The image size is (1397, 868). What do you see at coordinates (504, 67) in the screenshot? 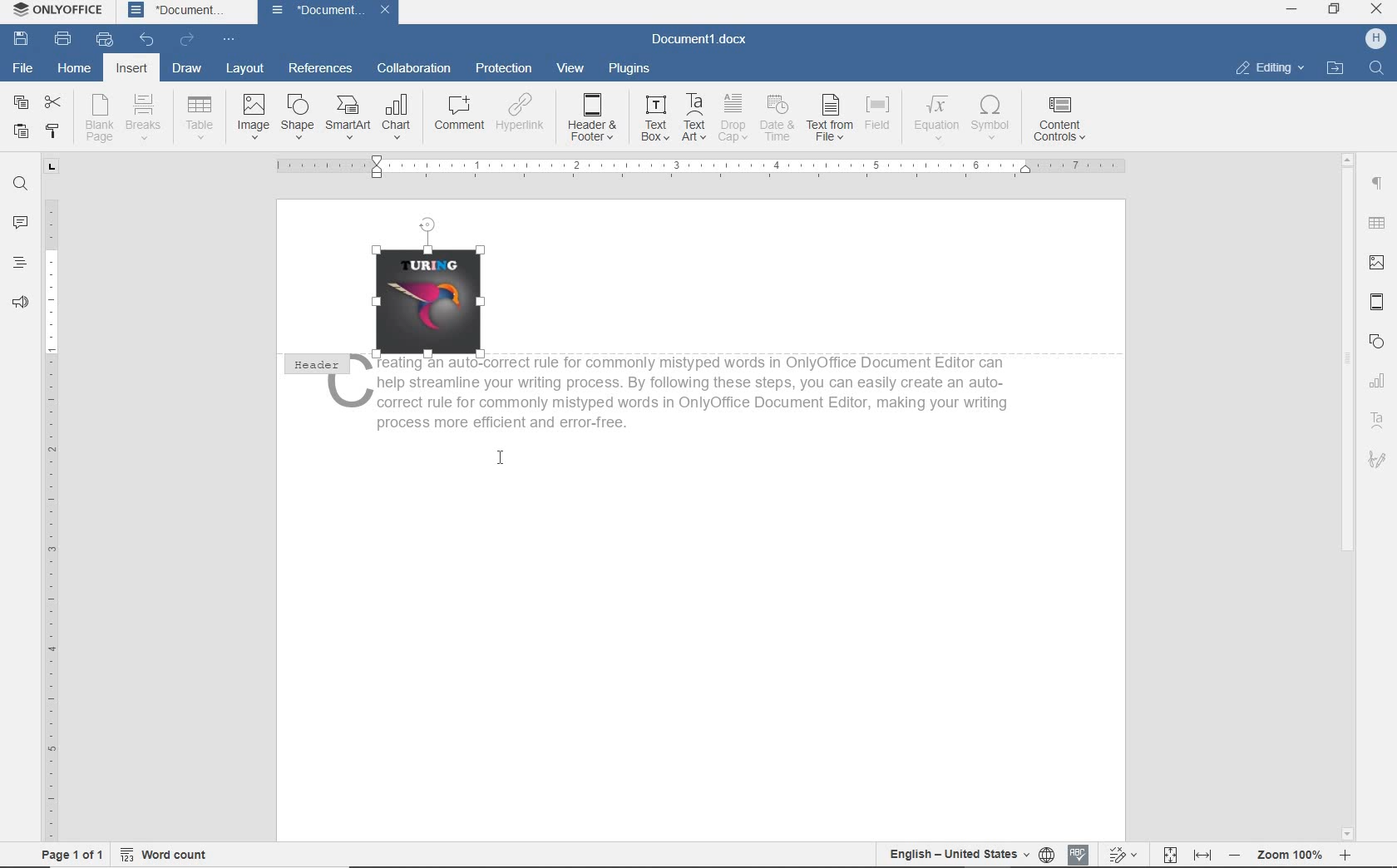
I see `PROTECTION` at bounding box center [504, 67].